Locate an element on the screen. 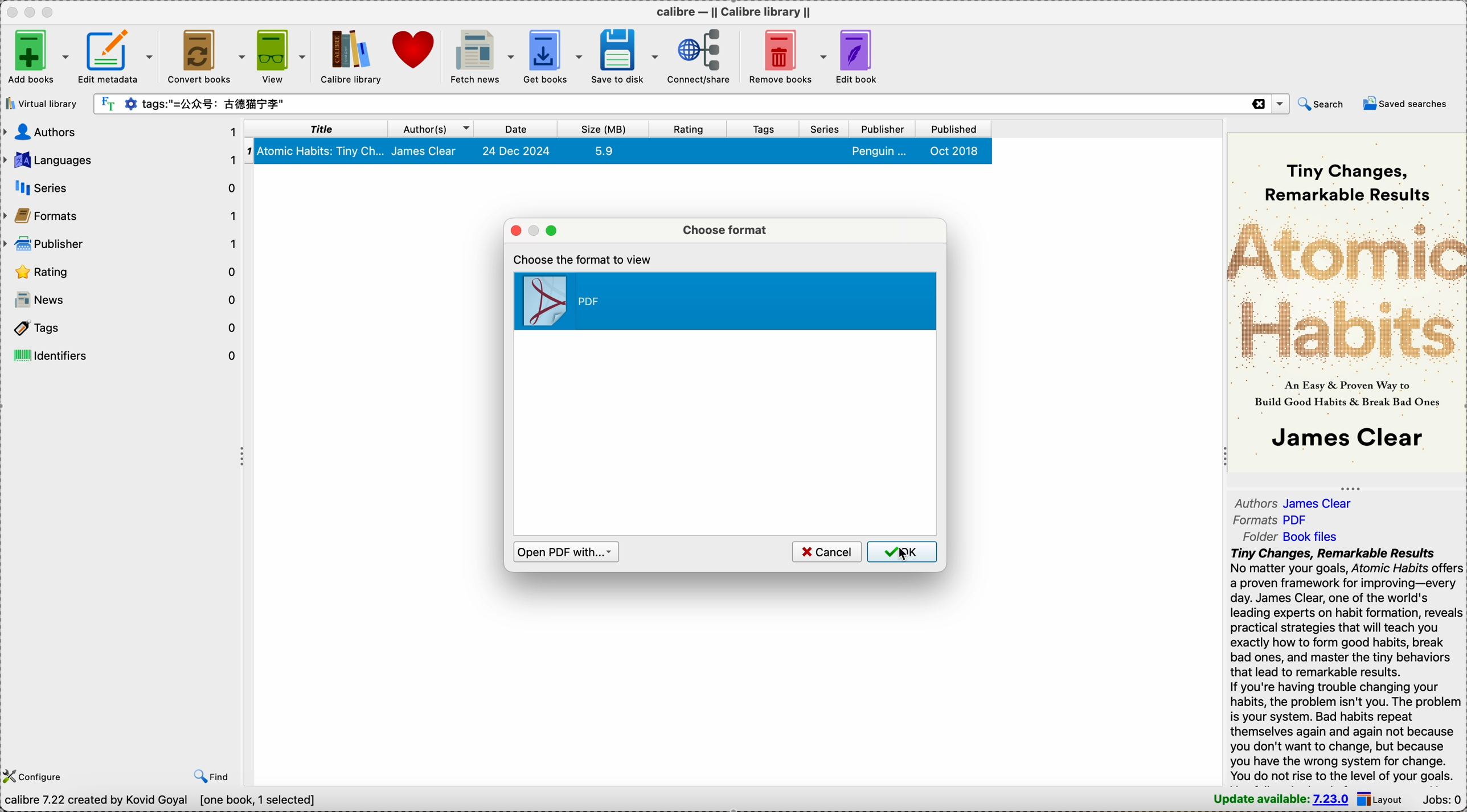 This screenshot has width=1467, height=812. book cover preview is located at coordinates (1346, 304).